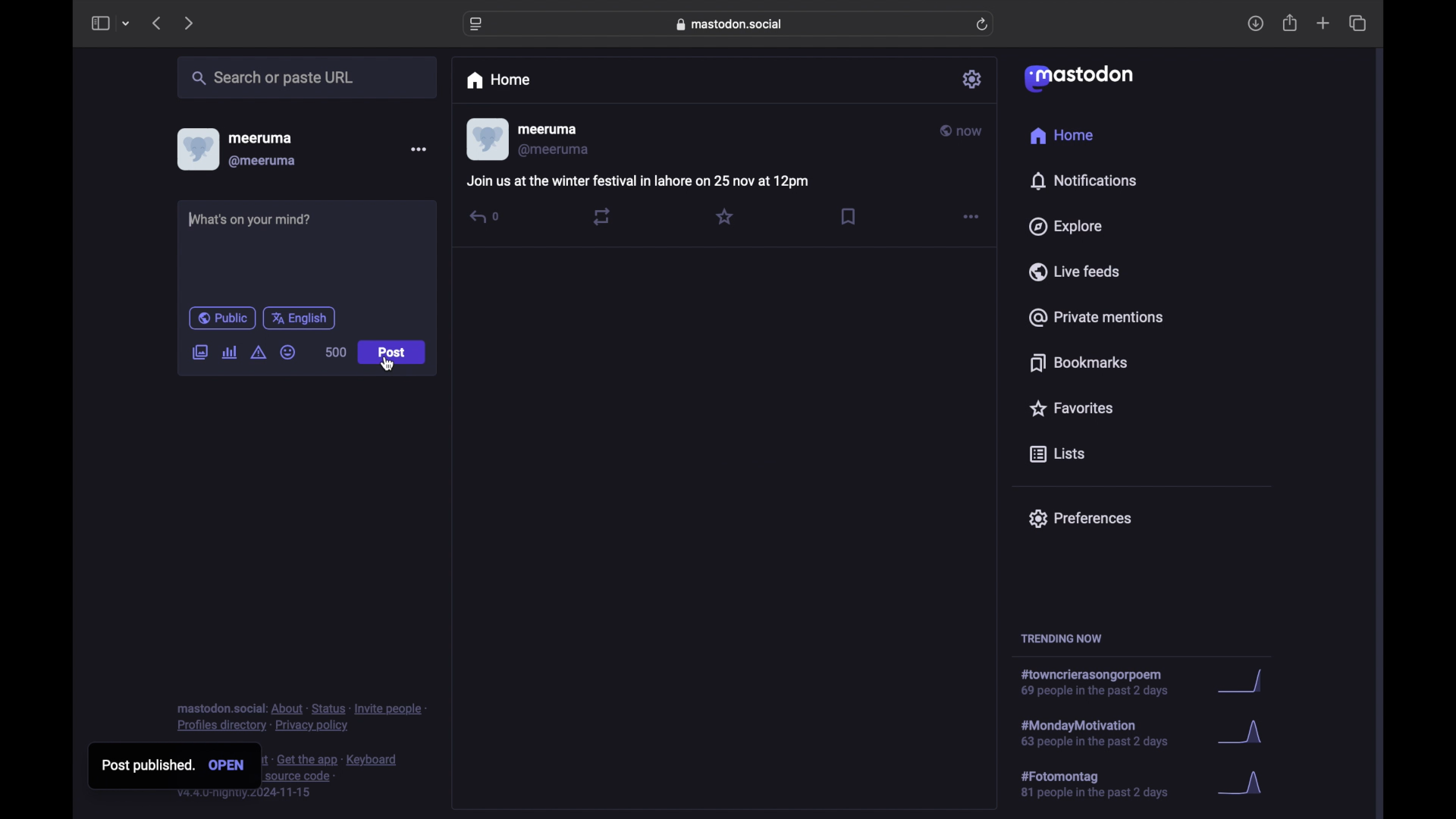  What do you see at coordinates (1083, 180) in the screenshot?
I see `notifications` at bounding box center [1083, 180].